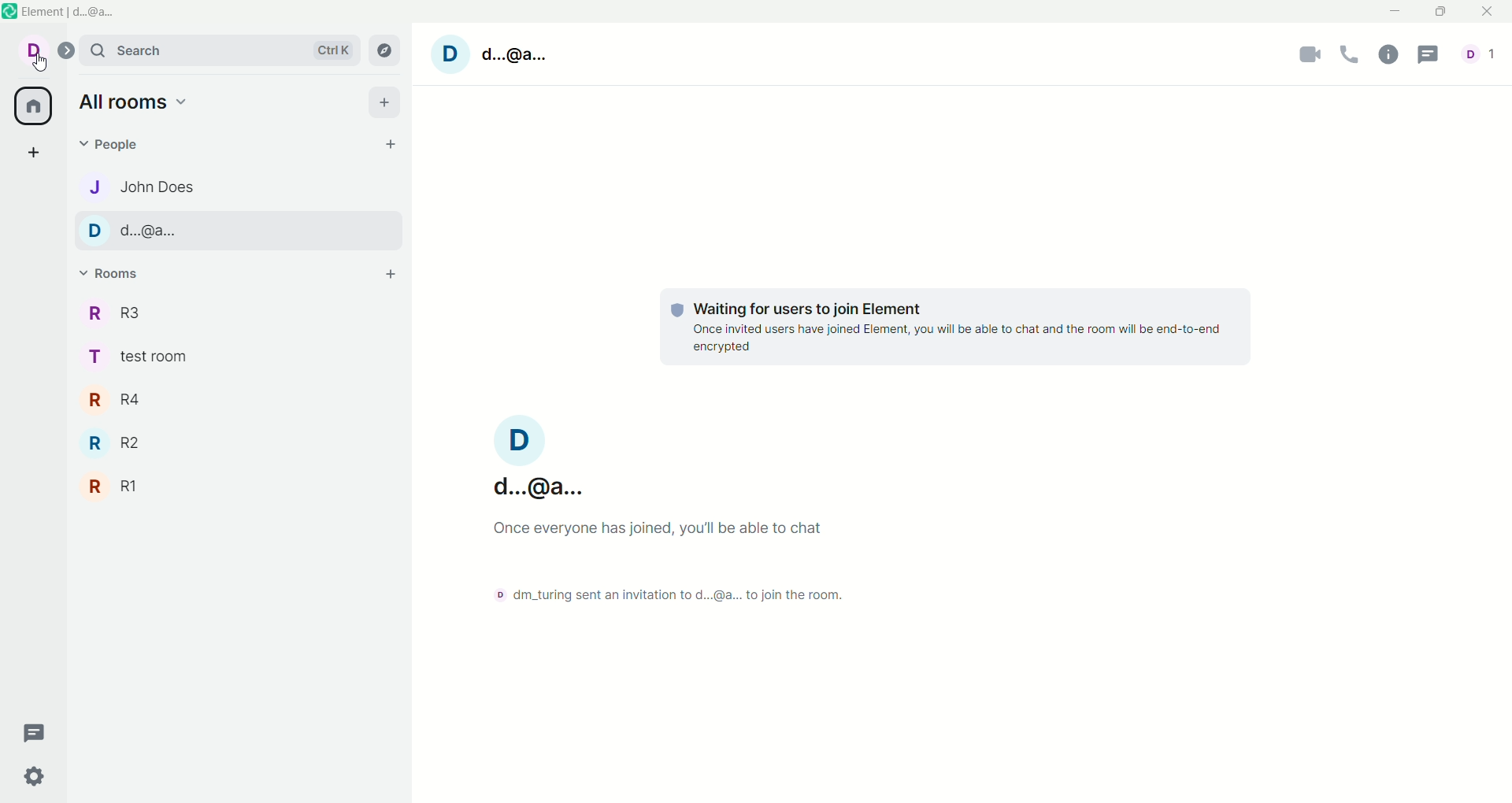 Image resolution: width=1512 pixels, height=803 pixels. Describe the element at coordinates (1393, 54) in the screenshot. I see `room info` at that location.